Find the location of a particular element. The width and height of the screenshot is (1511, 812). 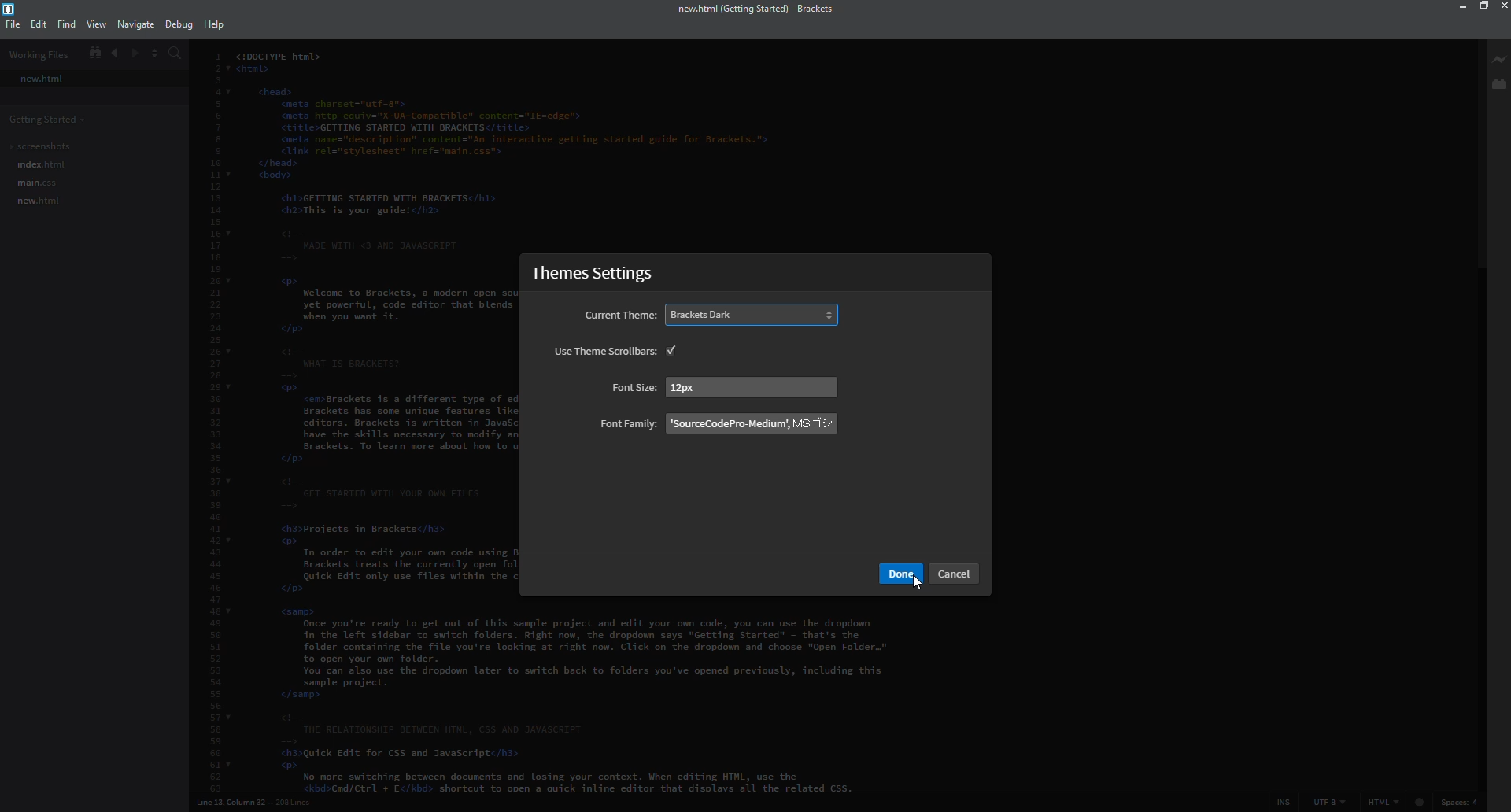

main is located at coordinates (36, 183).